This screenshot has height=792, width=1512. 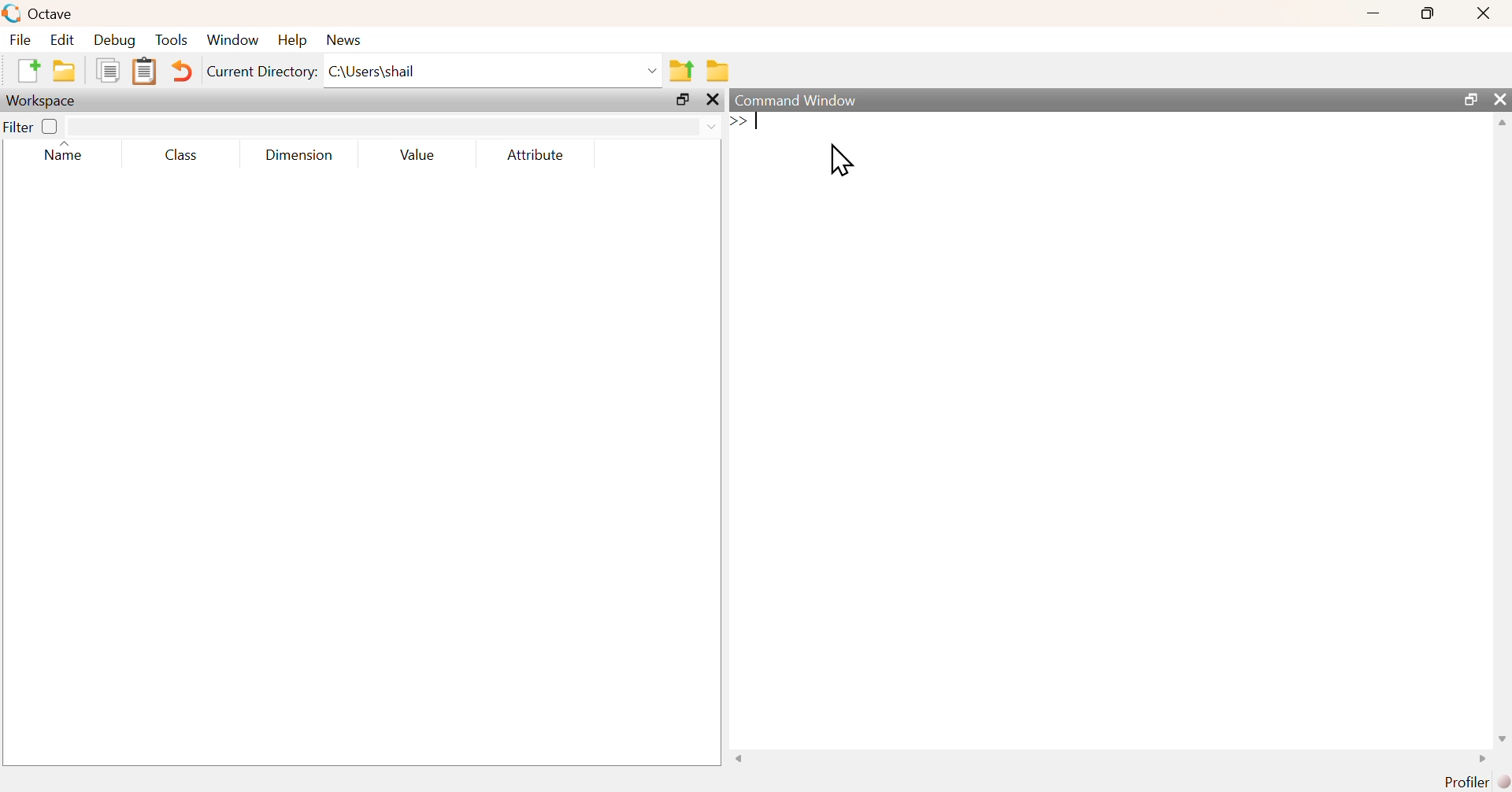 I want to click on Close, so click(x=1500, y=99).